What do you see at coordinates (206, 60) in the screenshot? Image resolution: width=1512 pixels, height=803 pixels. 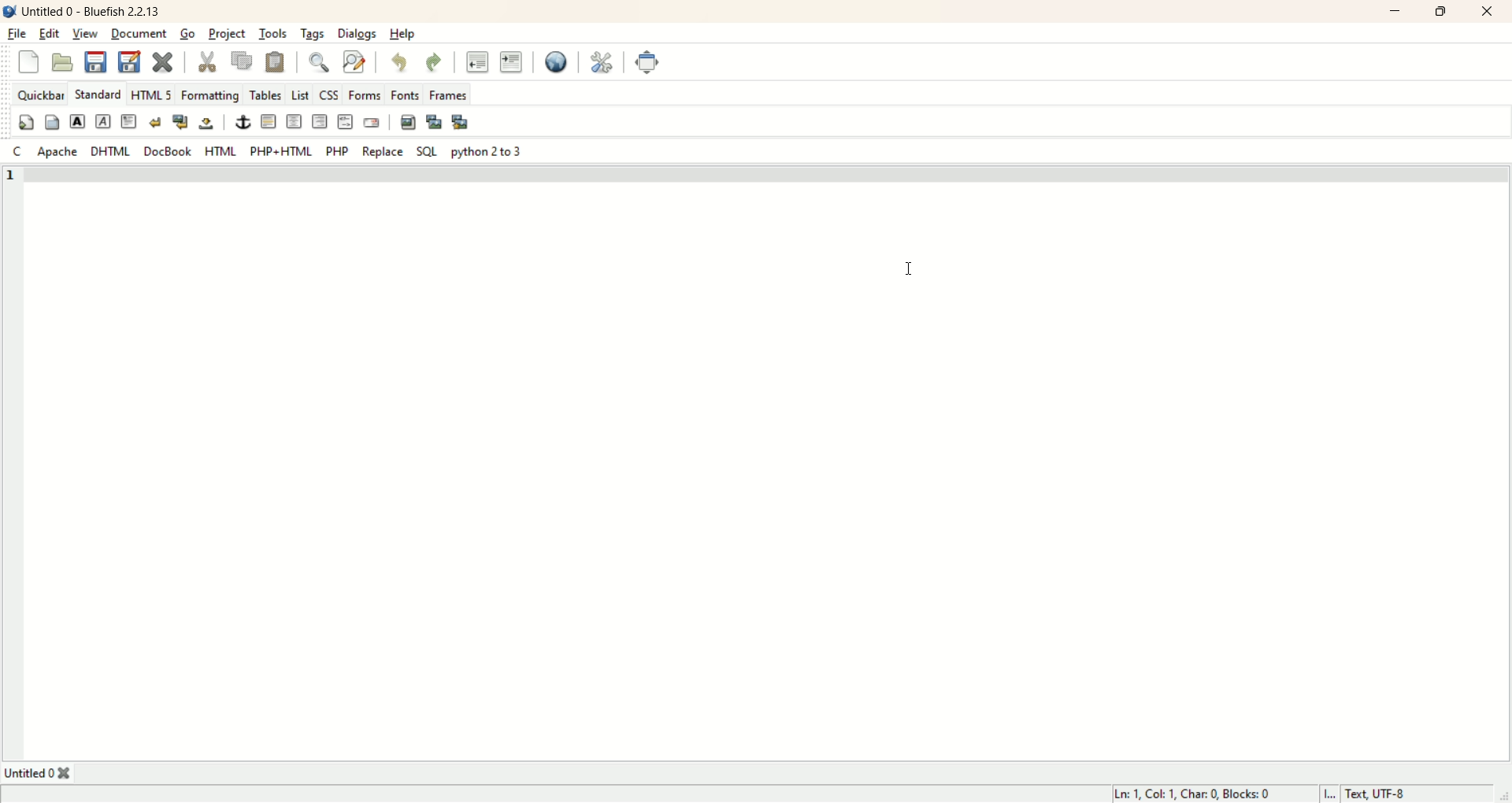 I see `cut` at bounding box center [206, 60].